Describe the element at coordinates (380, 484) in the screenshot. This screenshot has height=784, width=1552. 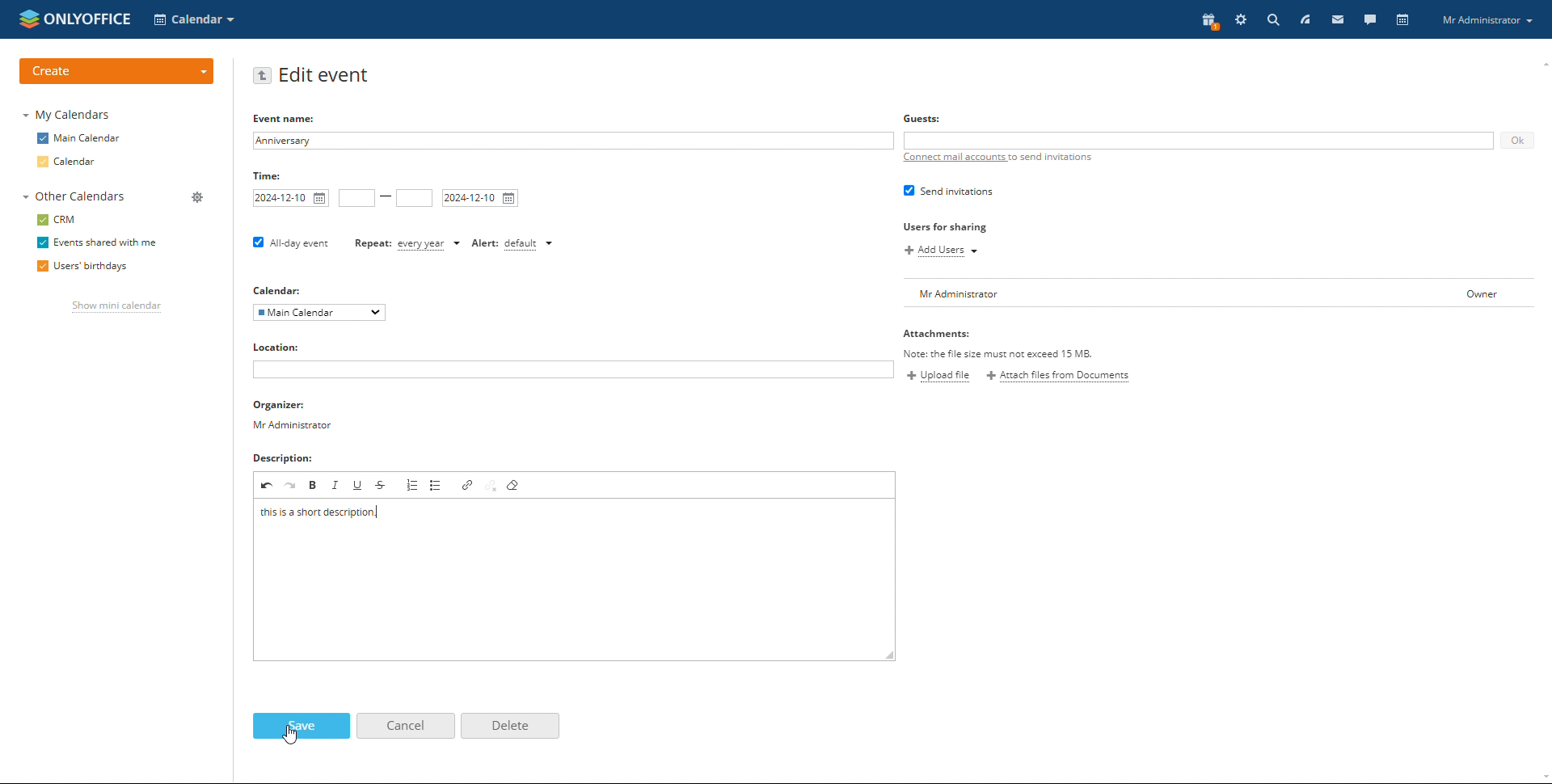
I see `strikethrough` at that location.